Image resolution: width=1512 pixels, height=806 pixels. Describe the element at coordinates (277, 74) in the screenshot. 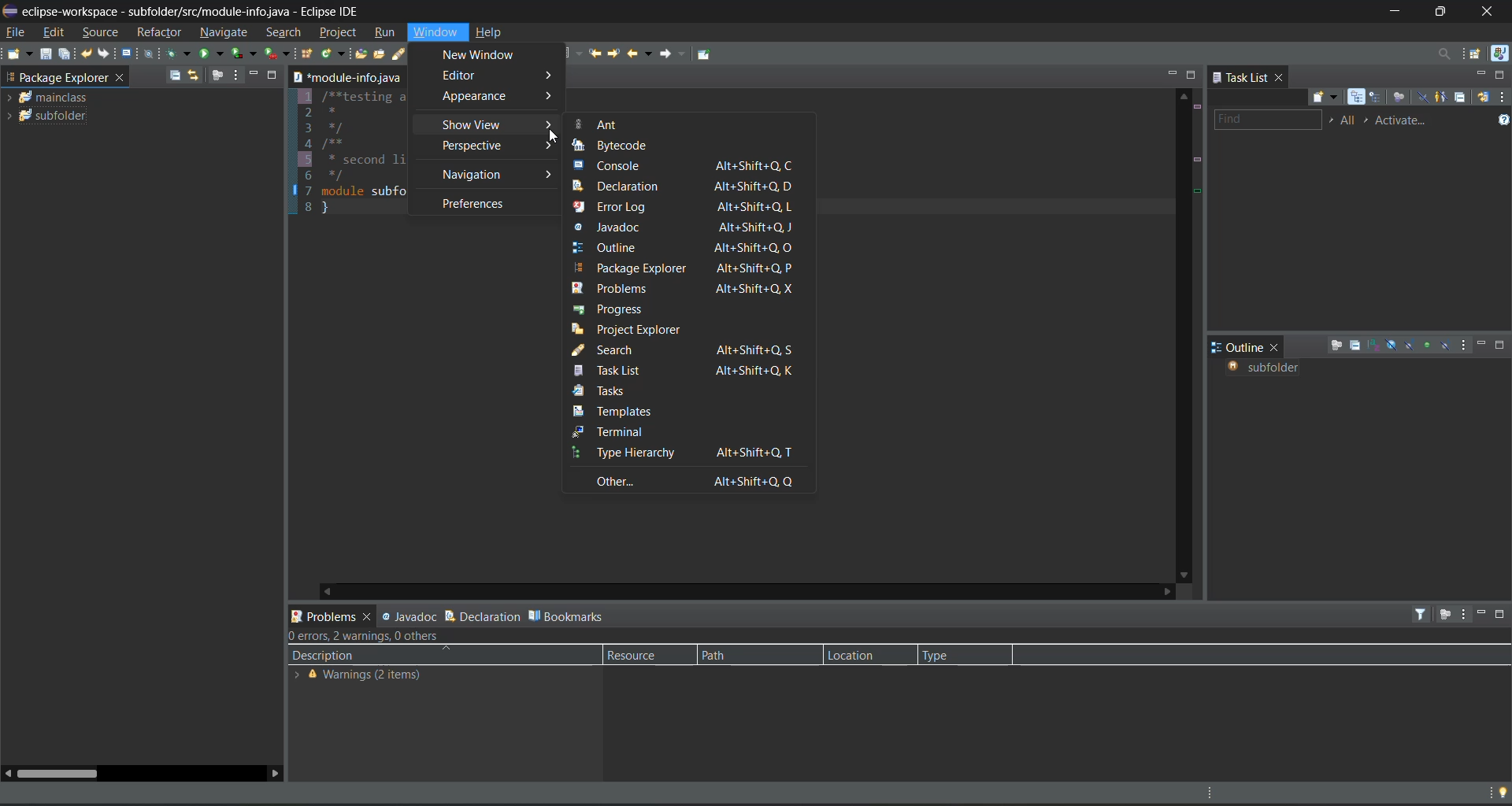

I see `maximize` at that location.